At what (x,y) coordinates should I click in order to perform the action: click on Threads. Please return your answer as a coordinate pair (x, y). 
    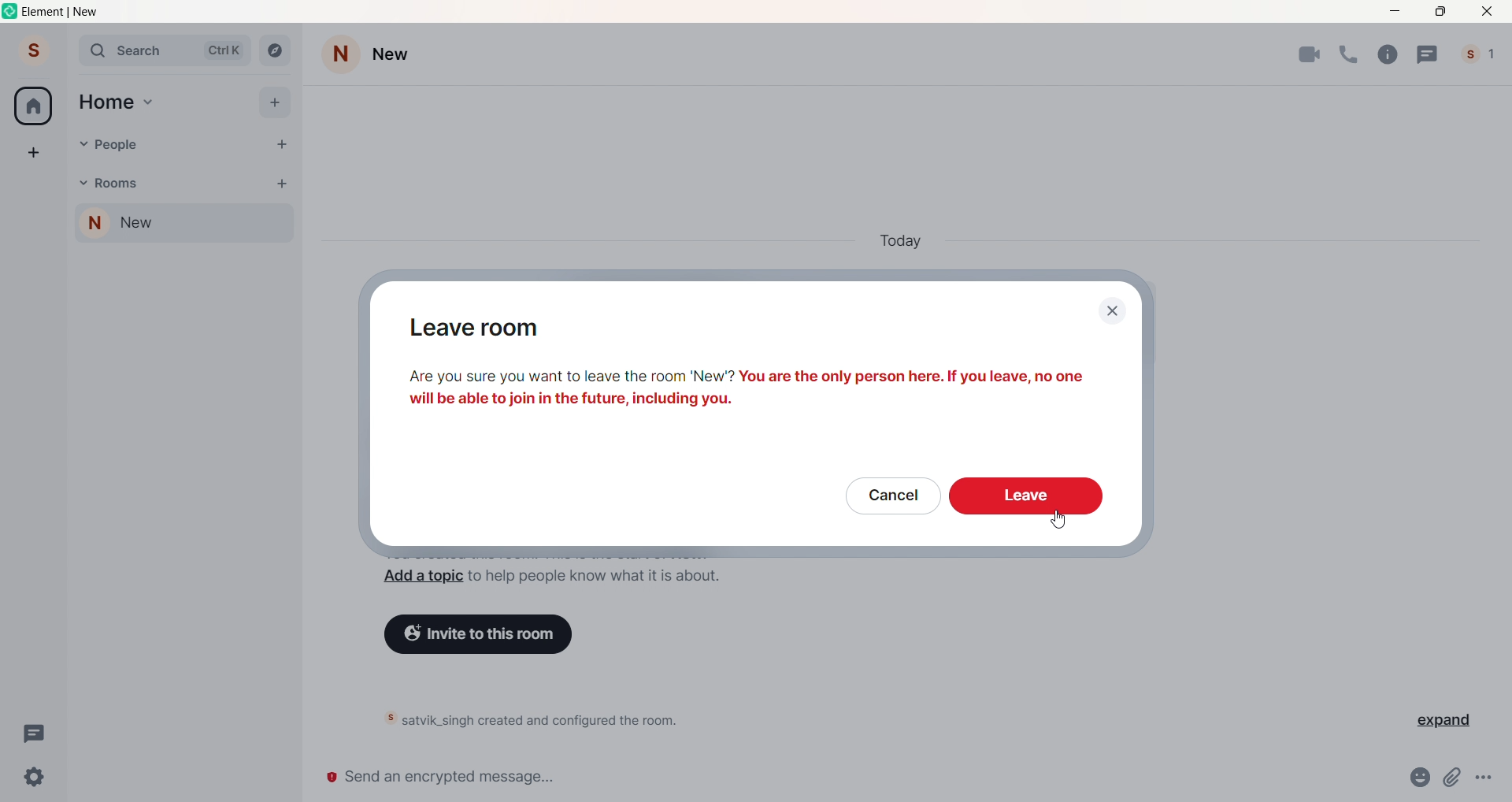
    Looking at the image, I should click on (1429, 53).